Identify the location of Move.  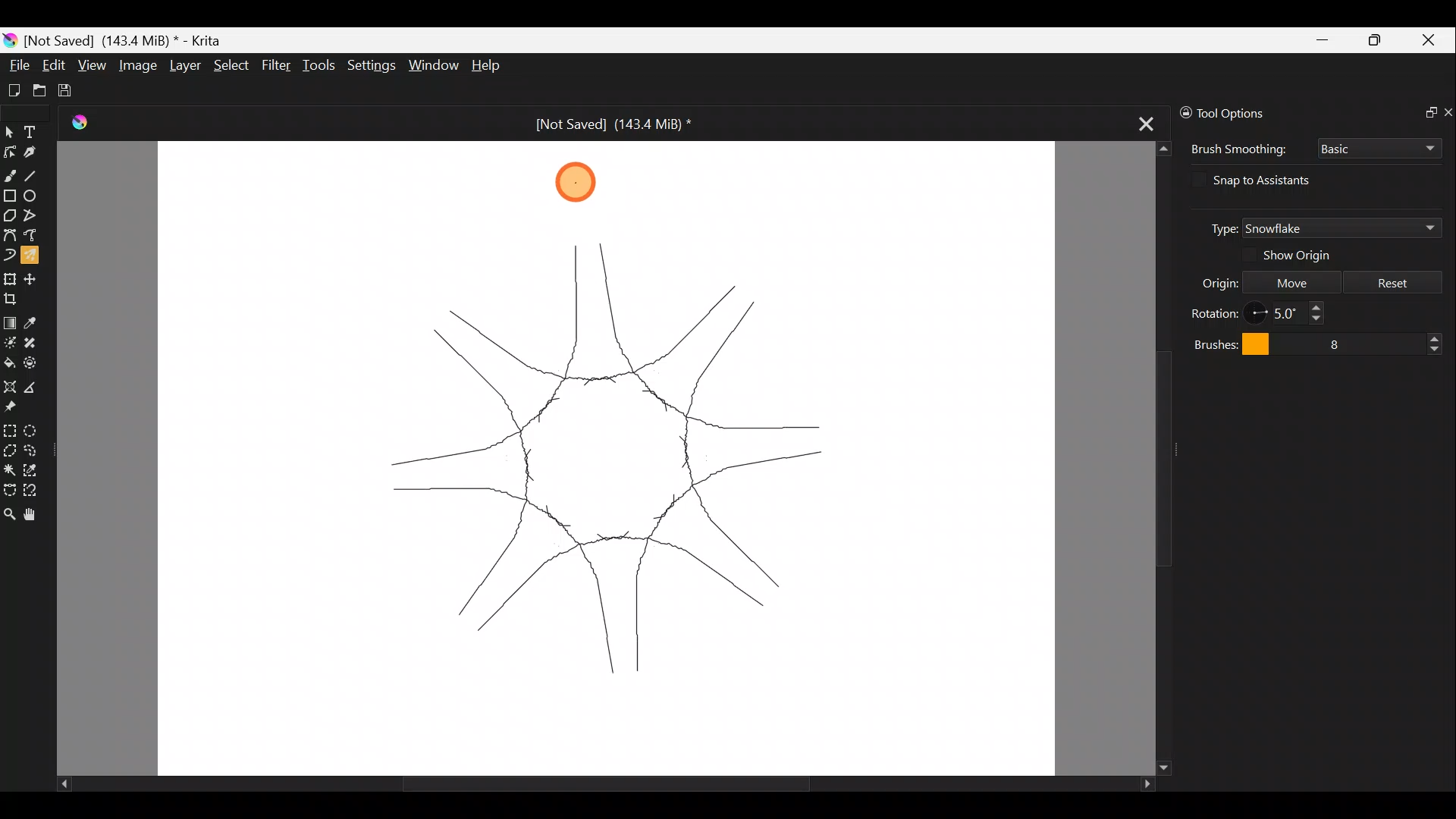
(1291, 281).